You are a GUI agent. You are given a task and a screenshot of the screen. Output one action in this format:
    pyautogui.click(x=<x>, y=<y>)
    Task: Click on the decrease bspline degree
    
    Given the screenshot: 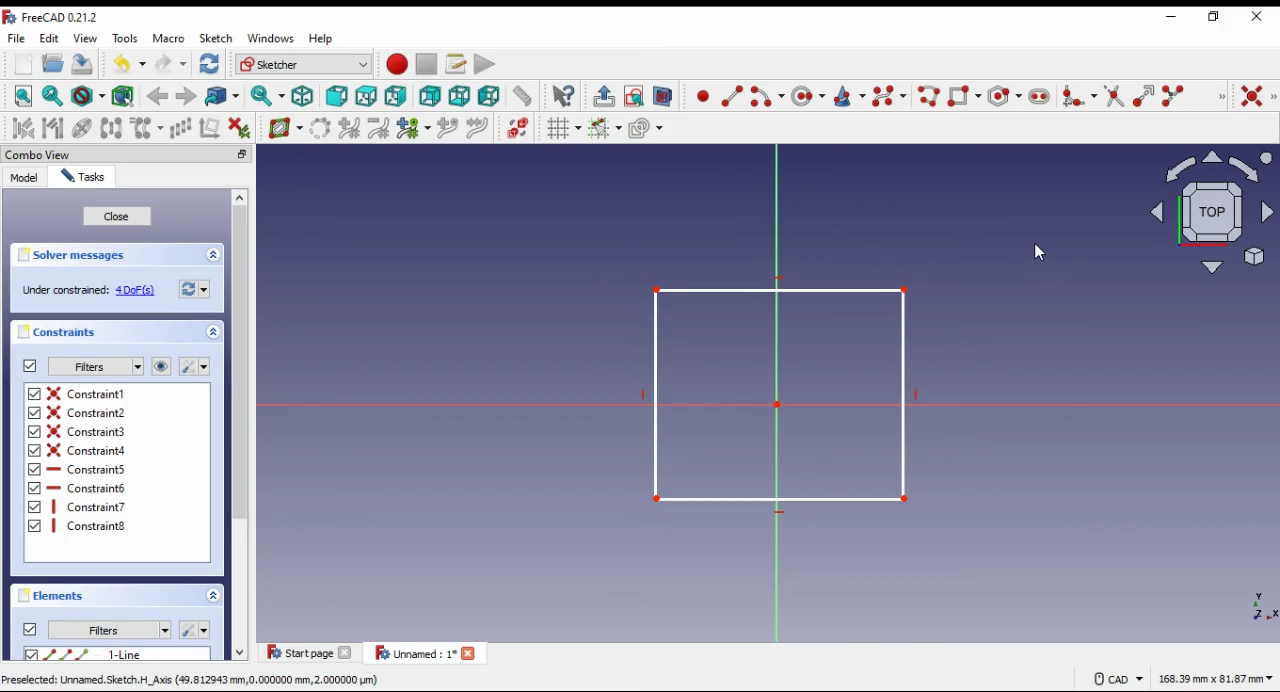 What is the action you would take?
    pyautogui.click(x=379, y=128)
    